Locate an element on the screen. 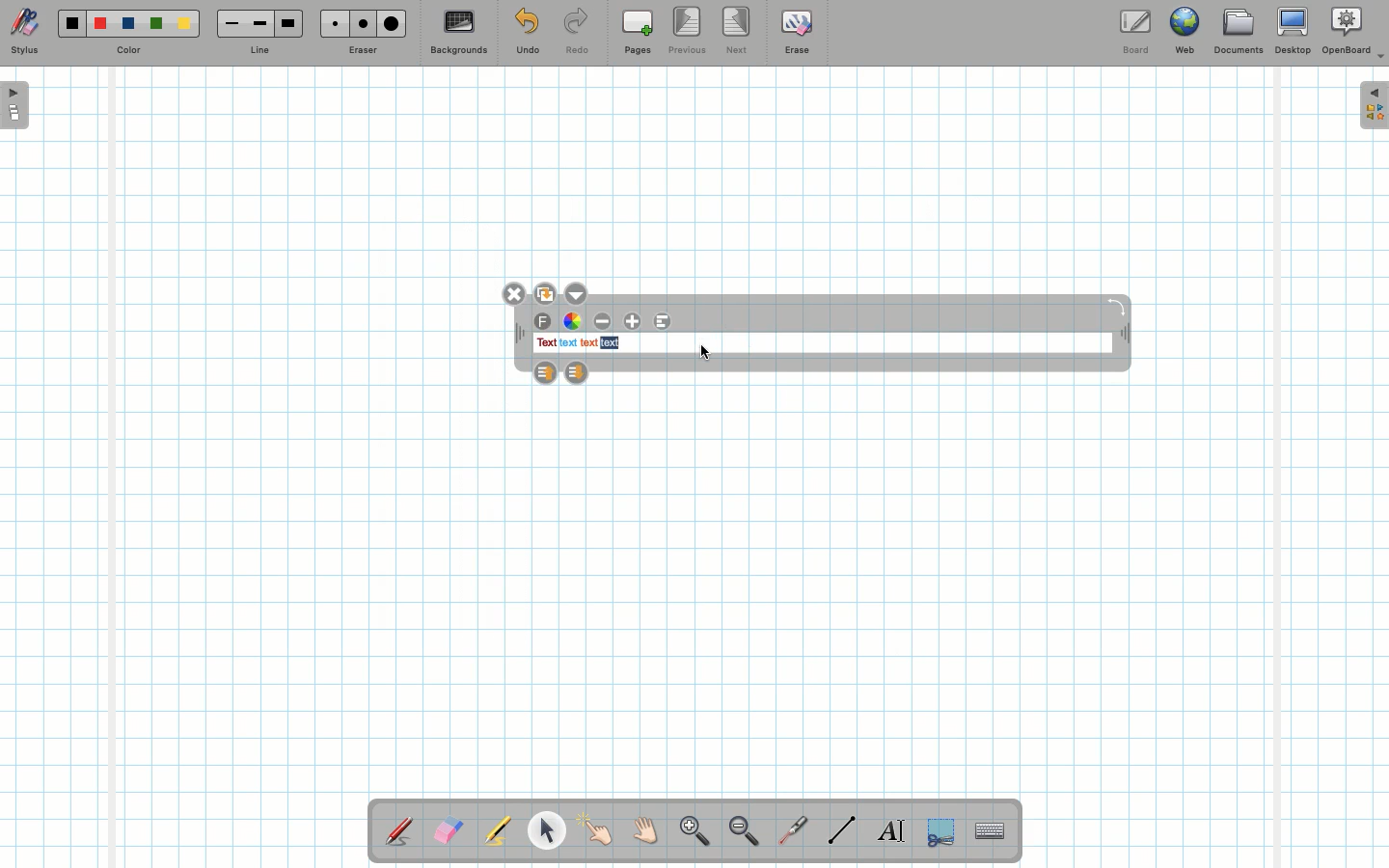 Image resolution: width=1389 pixels, height=868 pixels. Large eraser is located at coordinates (392, 23).